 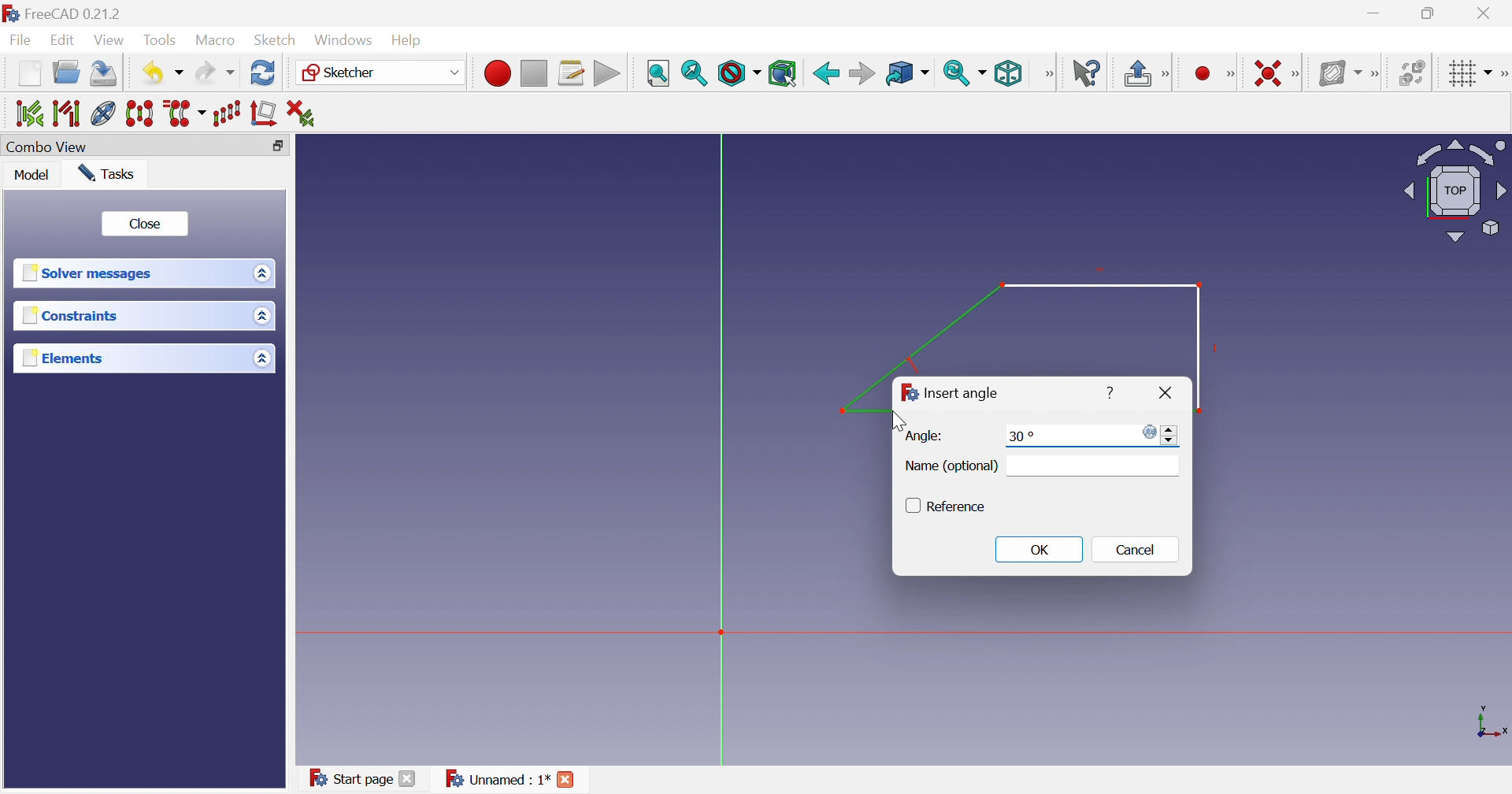 I want to click on OK, so click(x=1040, y=550).